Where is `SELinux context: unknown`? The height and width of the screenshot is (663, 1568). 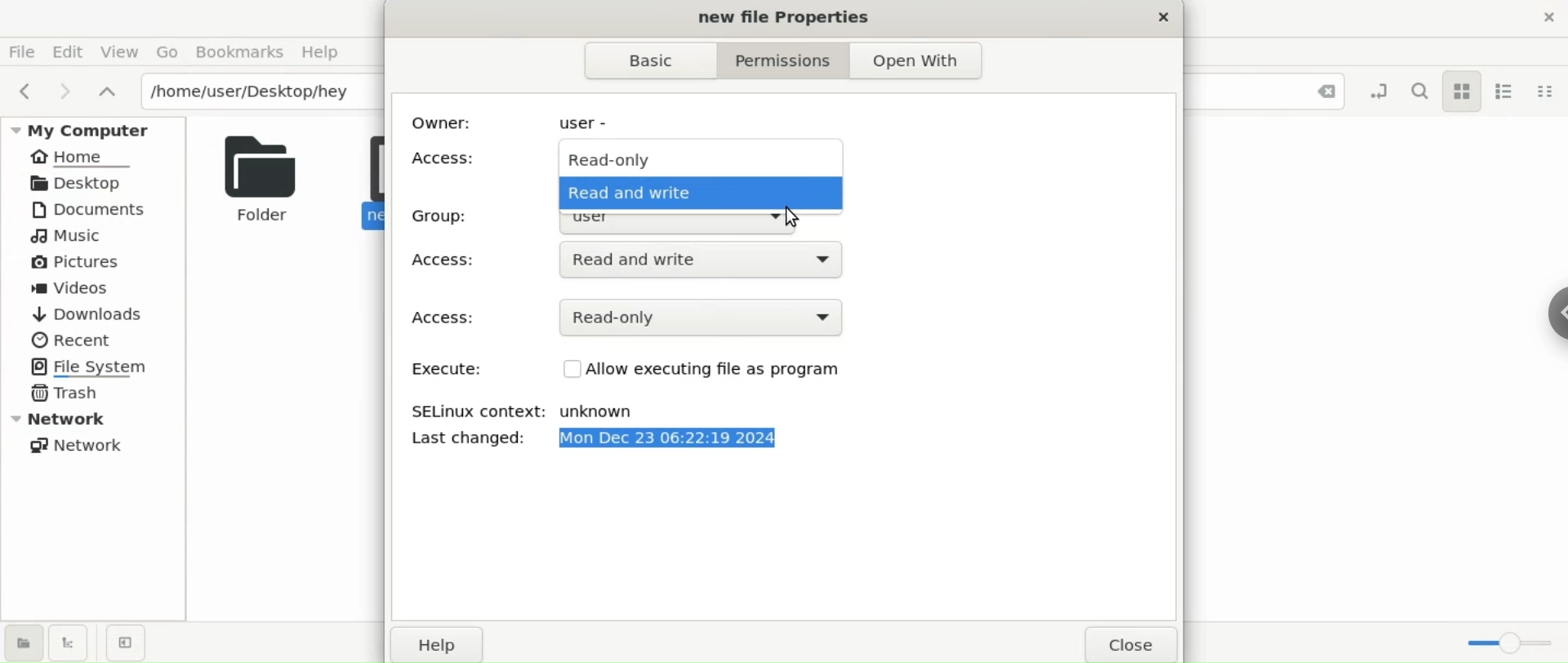 SELinux context: unknown is located at coordinates (533, 412).